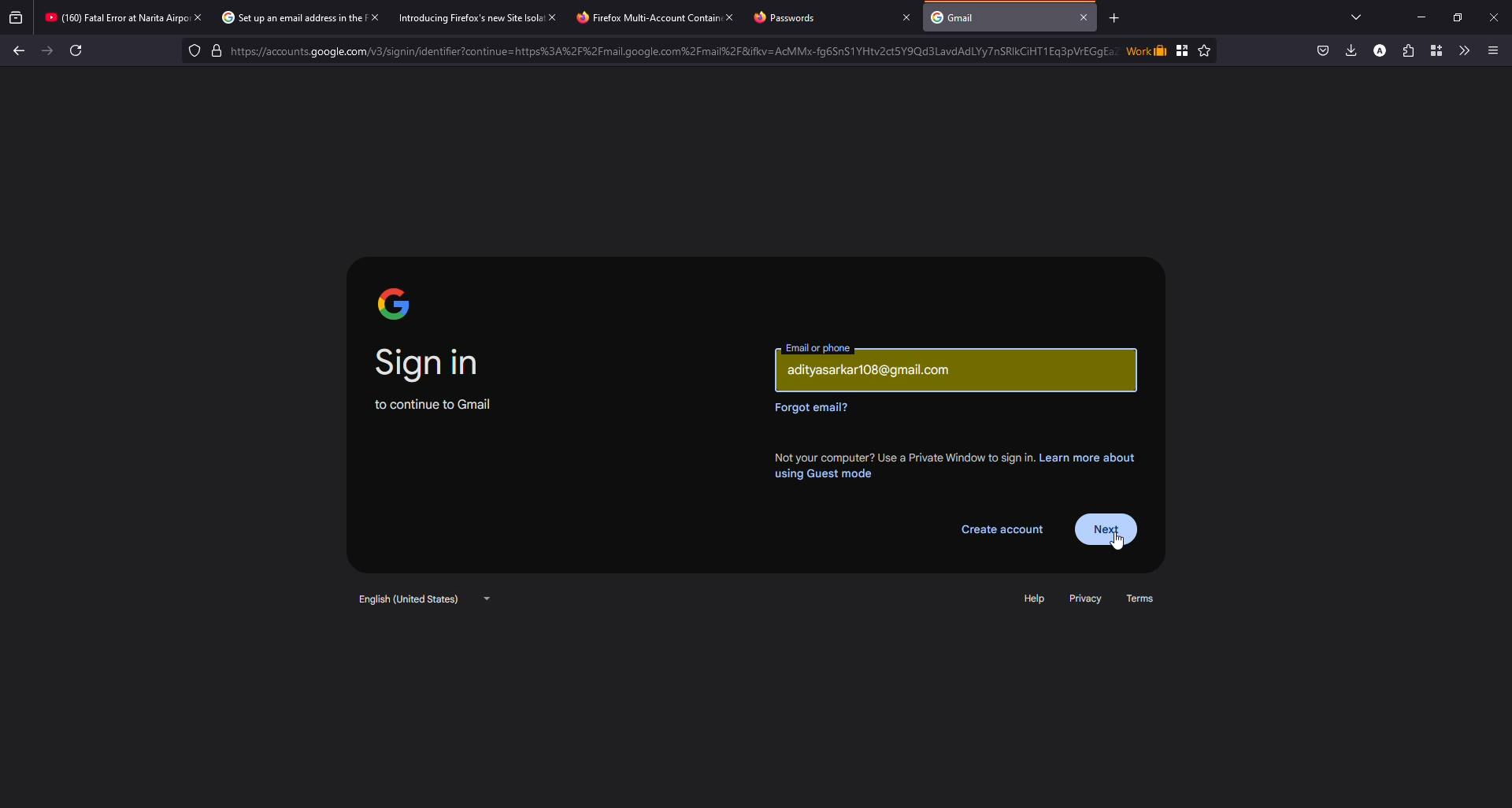  What do you see at coordinates (1378, 50) in the screenshot?
I see `profile` at bounding box center [1378, 50].